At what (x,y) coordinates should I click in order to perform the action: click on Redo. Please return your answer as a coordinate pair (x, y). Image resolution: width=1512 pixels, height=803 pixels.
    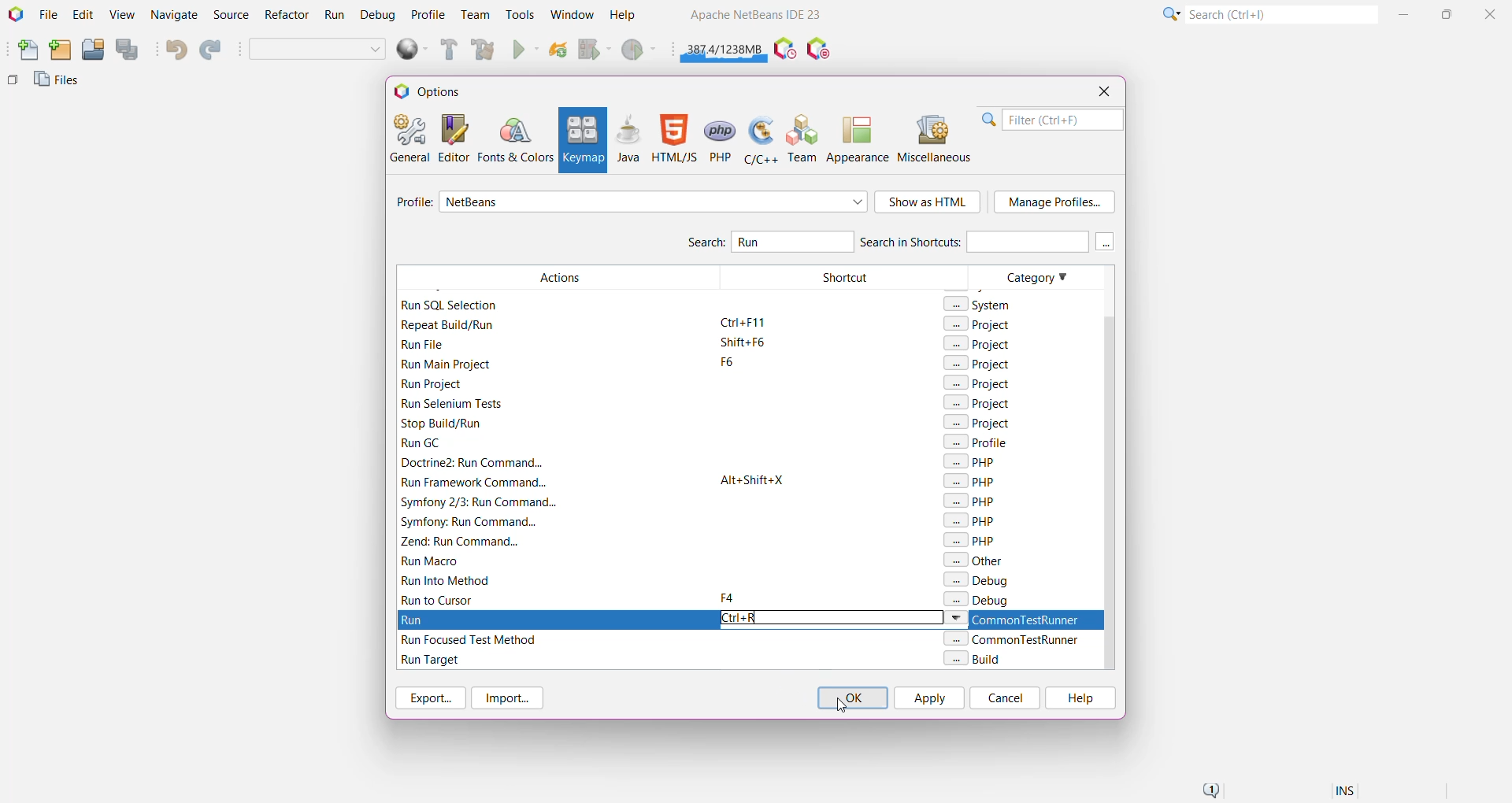
    Looking at the image, I should click on (213, 50).